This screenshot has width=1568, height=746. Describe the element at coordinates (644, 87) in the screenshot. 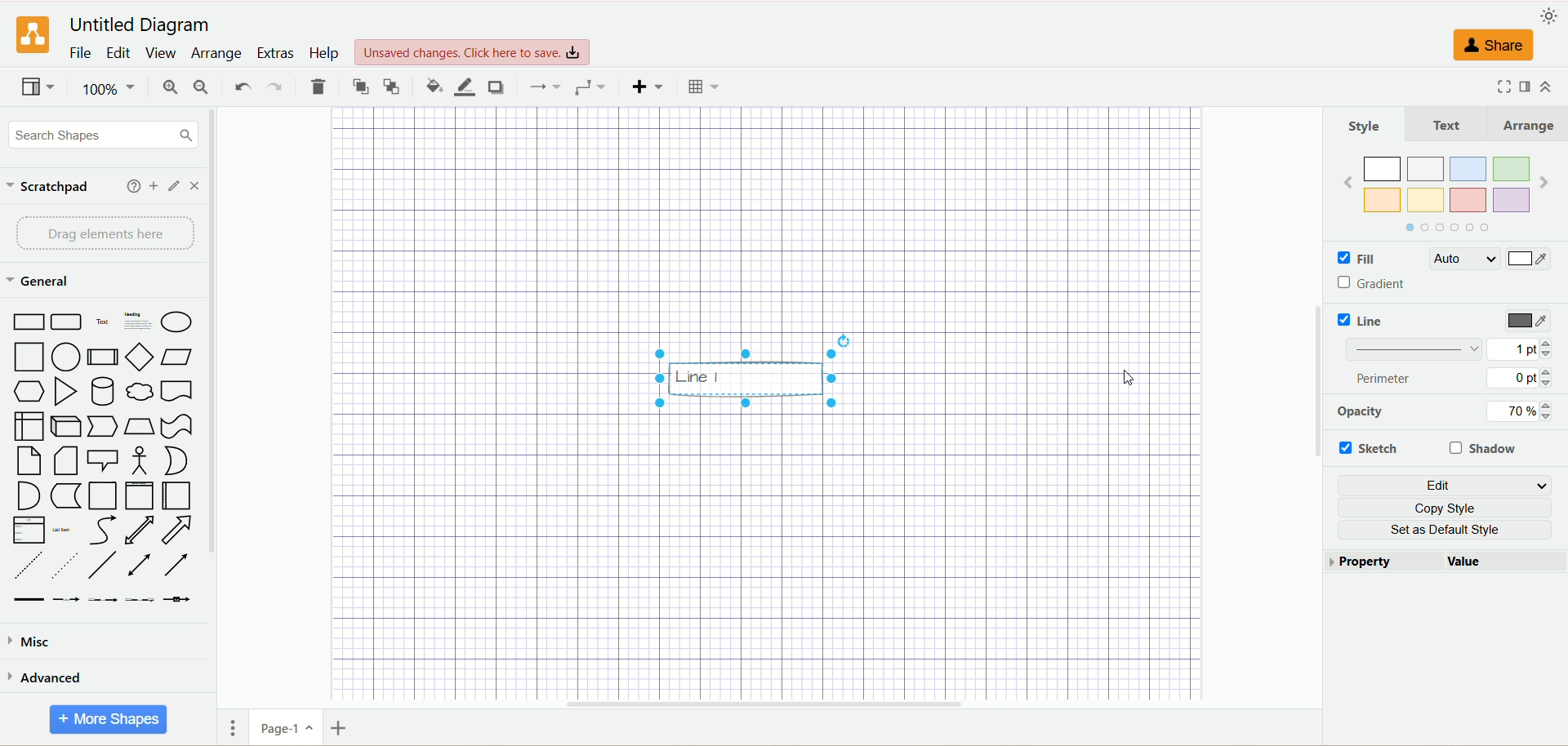

I see `insert` at that location.